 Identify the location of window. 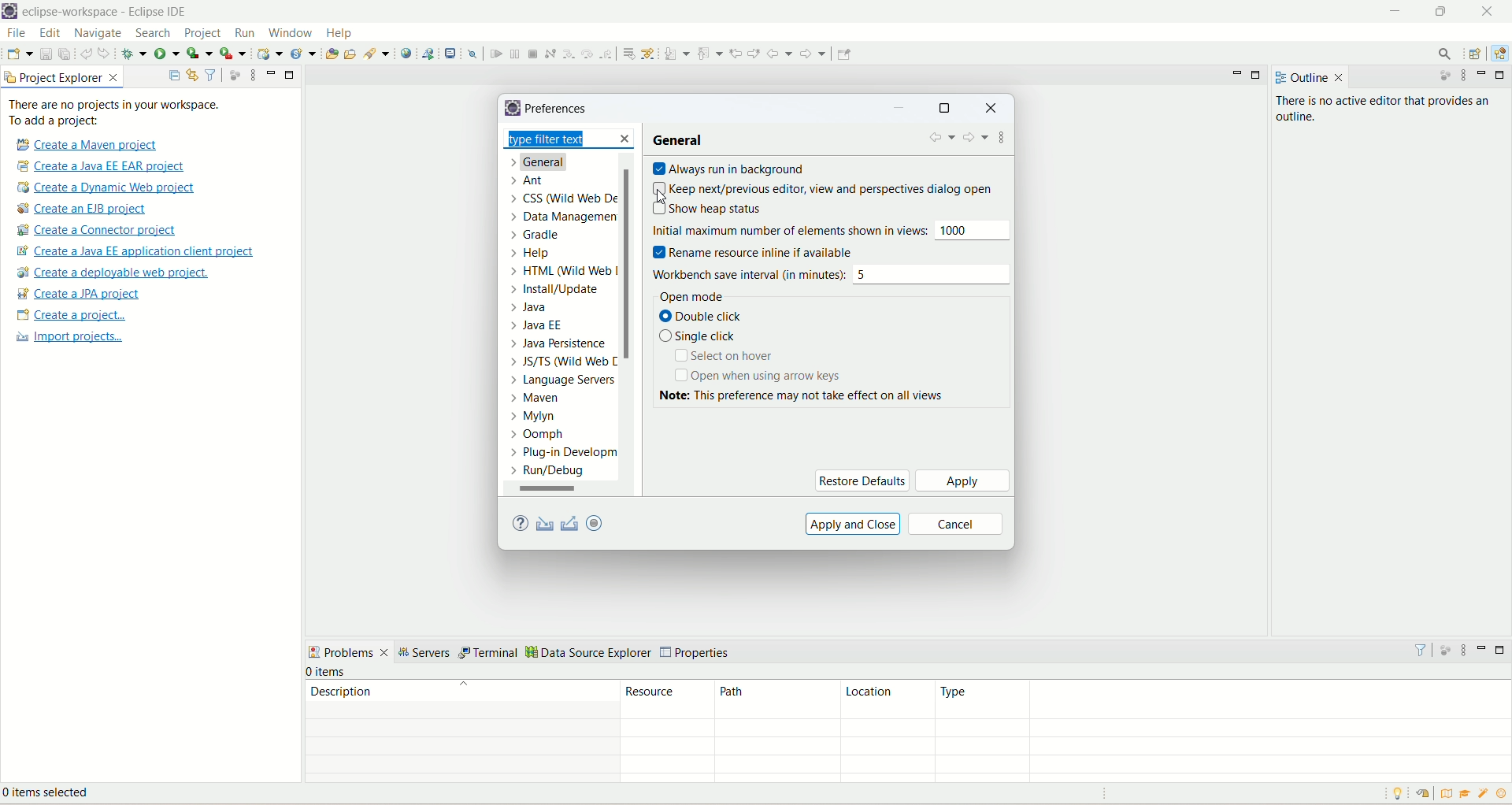
(290, 32).